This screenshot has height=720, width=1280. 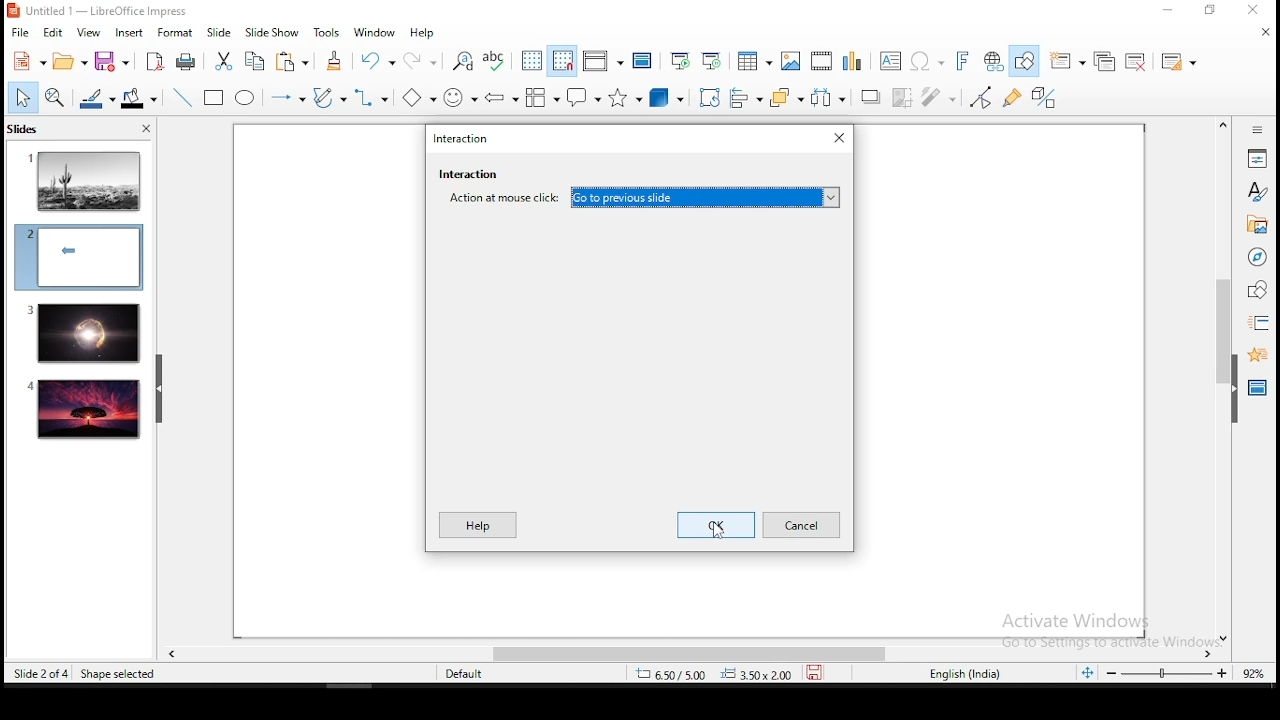 I want to click on 8.60/-0.26, so click(x=673, y=676).